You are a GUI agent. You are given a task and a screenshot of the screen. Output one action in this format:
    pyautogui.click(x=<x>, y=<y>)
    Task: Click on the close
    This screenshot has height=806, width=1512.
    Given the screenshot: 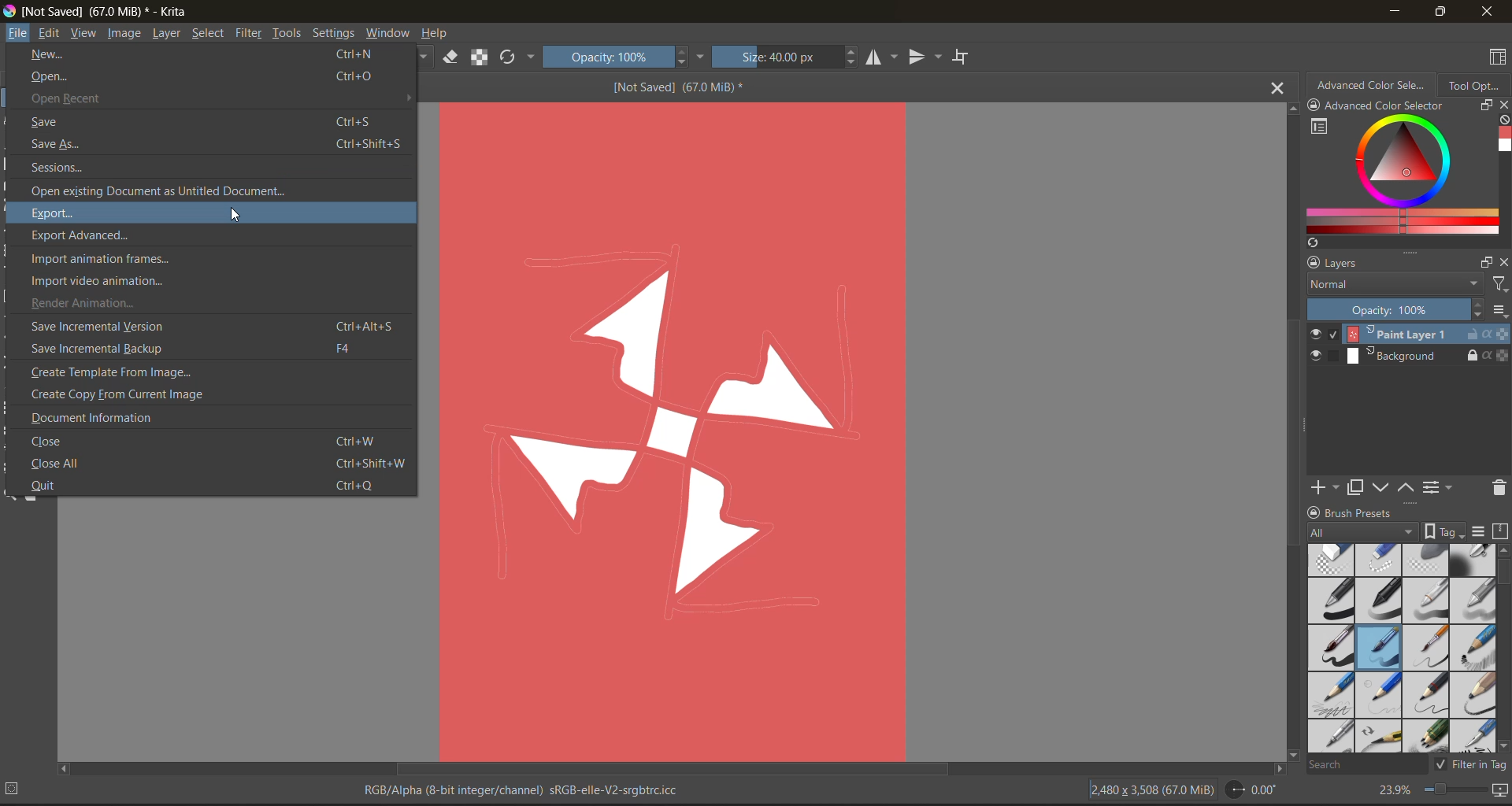 What is the action you would take?
    pyautogui.click(x=222, y=442)
    